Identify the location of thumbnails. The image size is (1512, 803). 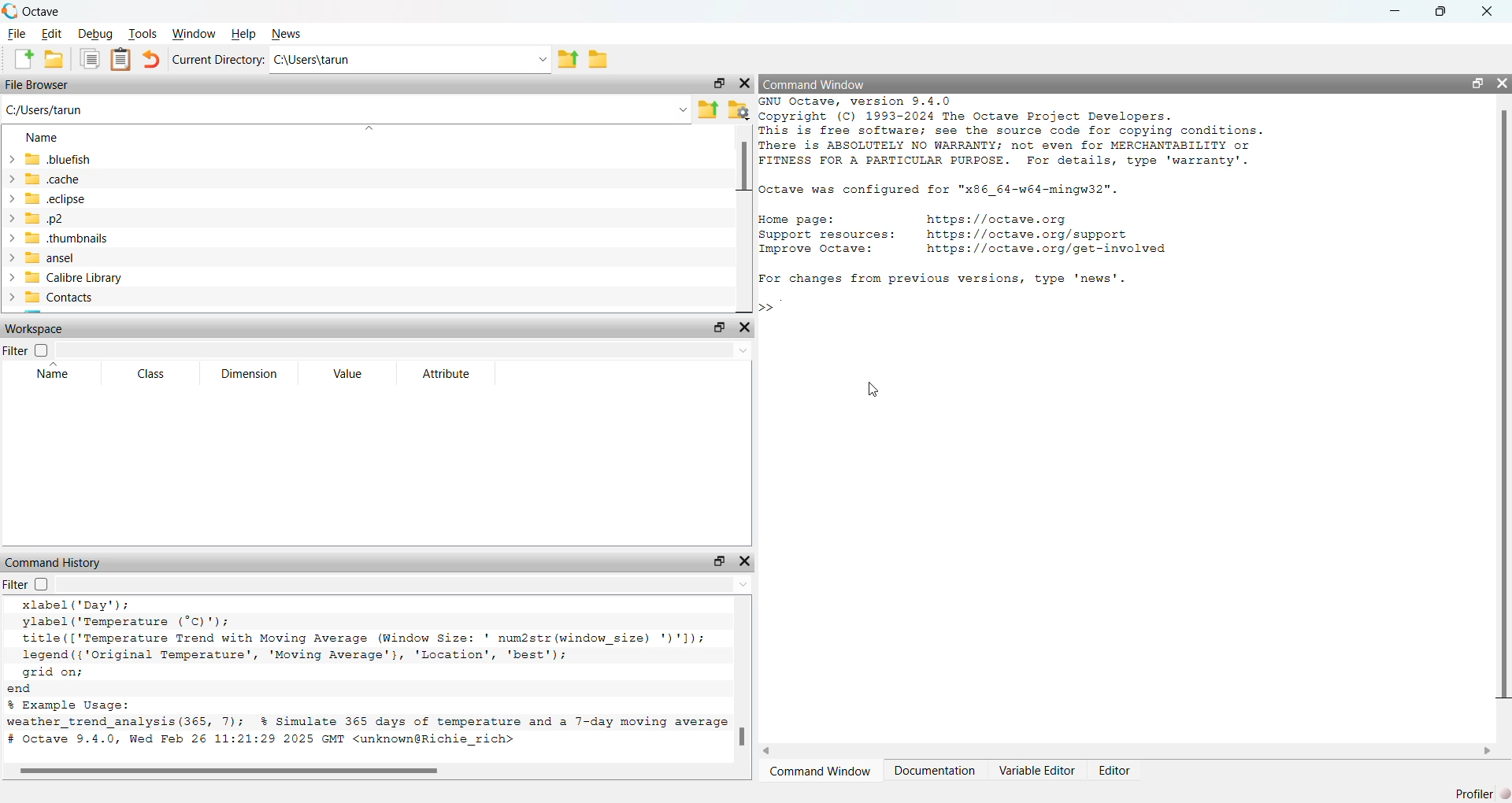
(61, 238).